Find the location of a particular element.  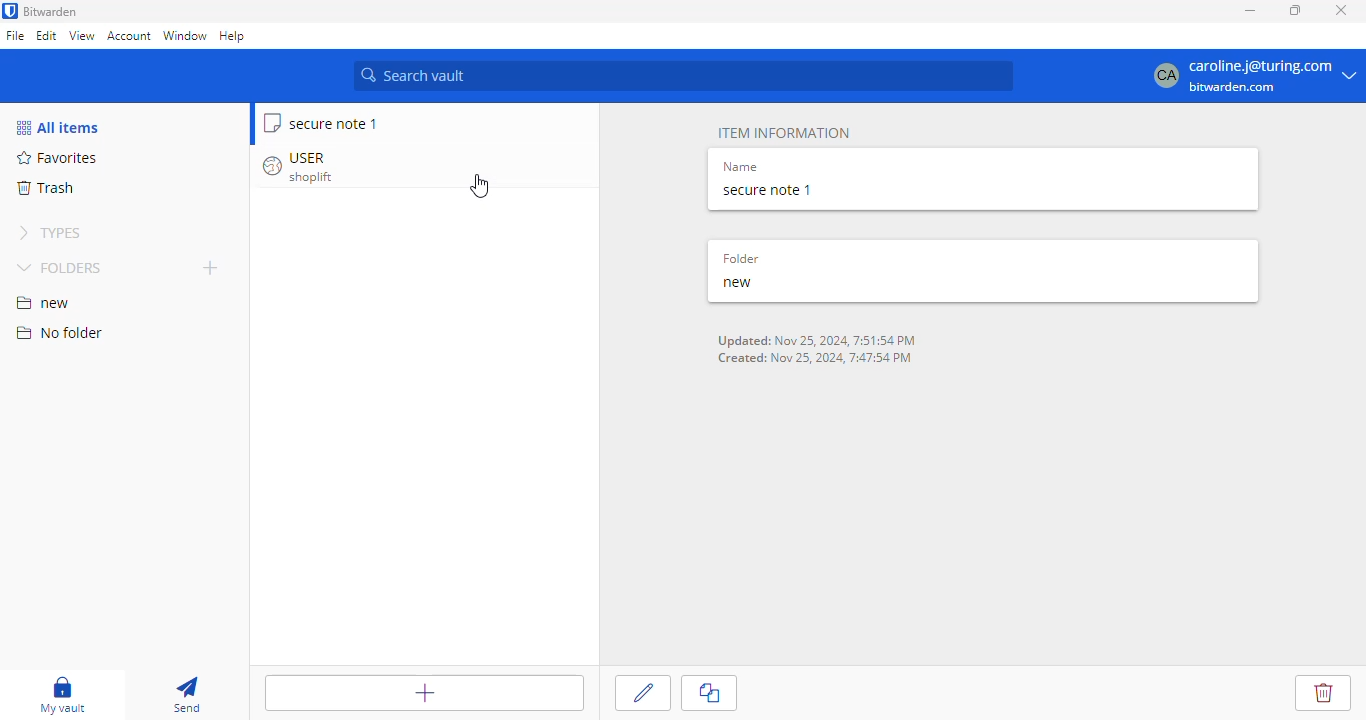

bitwarden is located at coordinates (51, 11).